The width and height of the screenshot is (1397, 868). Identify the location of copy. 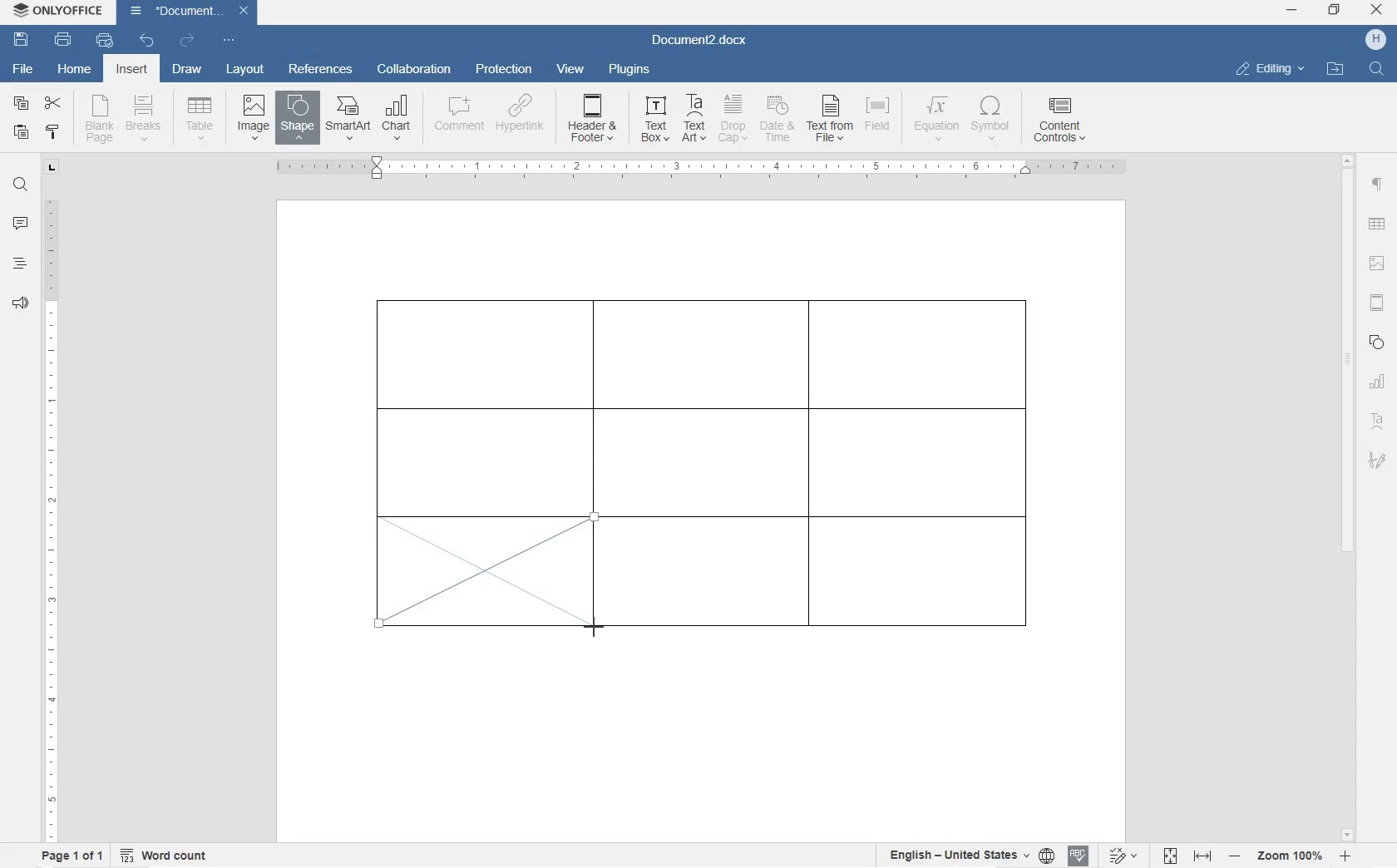
(22, 106).